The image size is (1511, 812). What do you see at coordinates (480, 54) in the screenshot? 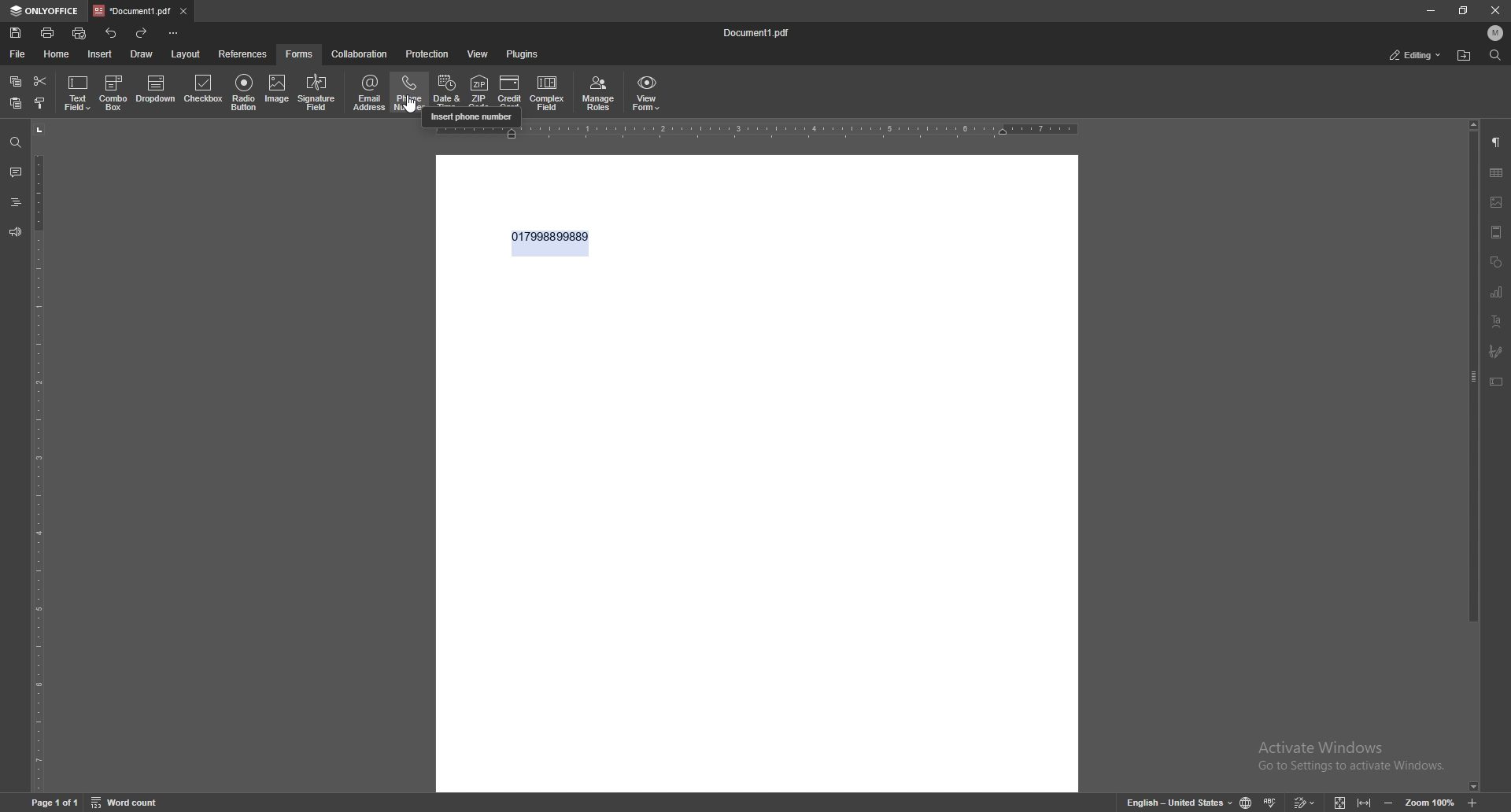
I see `view` at bounding box center [480, 54].